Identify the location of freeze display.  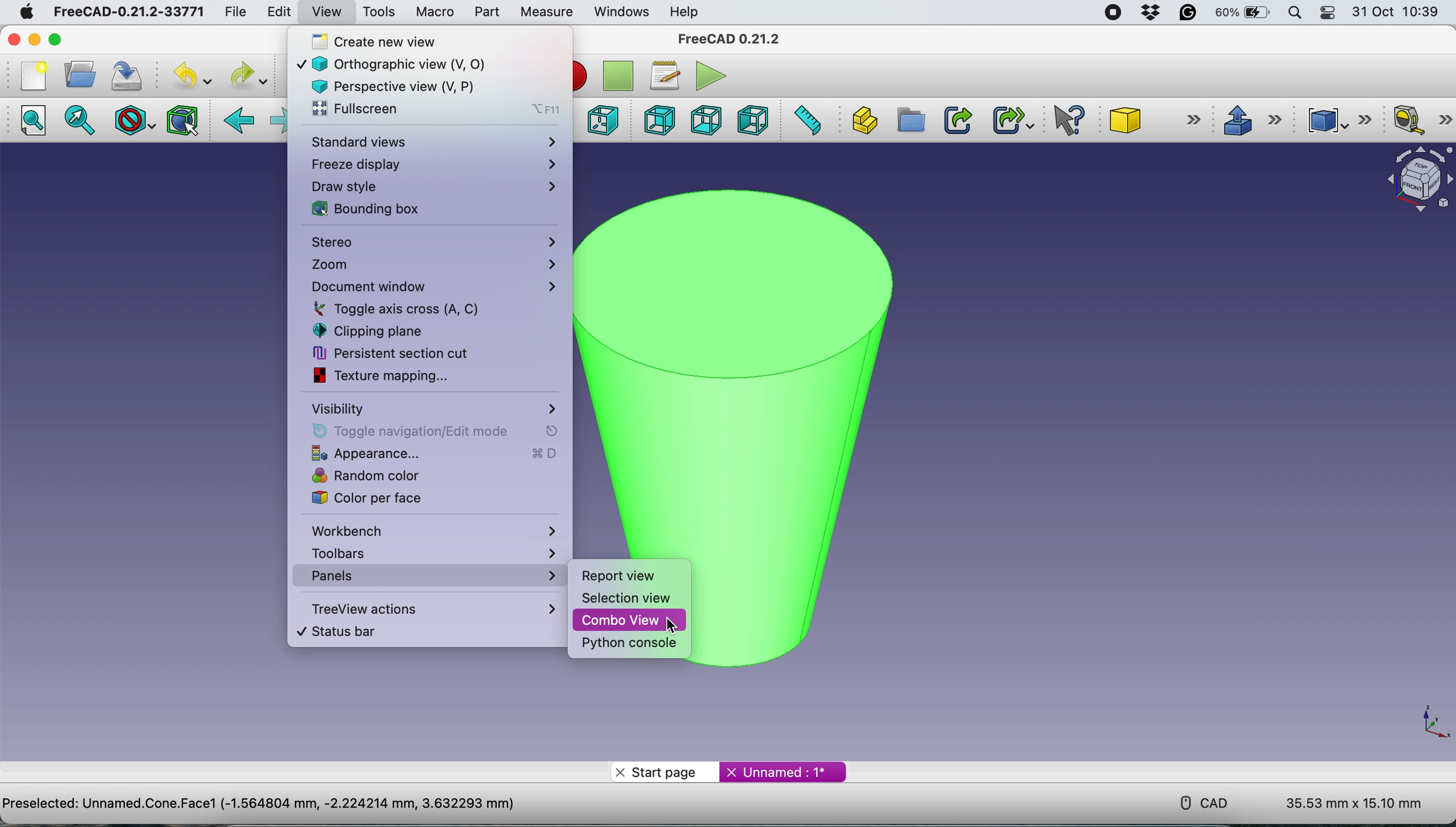
(432, 164).